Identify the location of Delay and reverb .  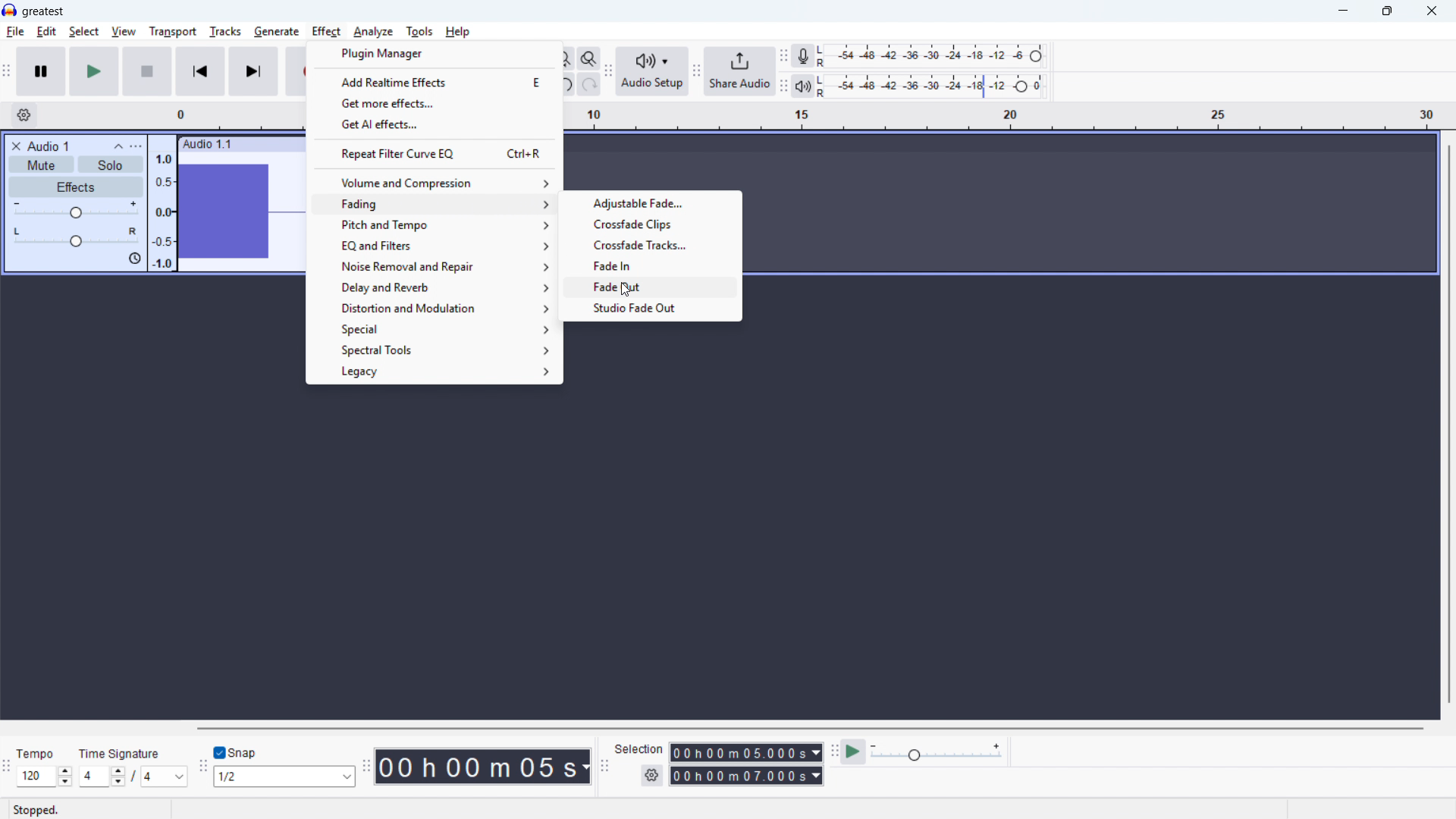
(435, 288).